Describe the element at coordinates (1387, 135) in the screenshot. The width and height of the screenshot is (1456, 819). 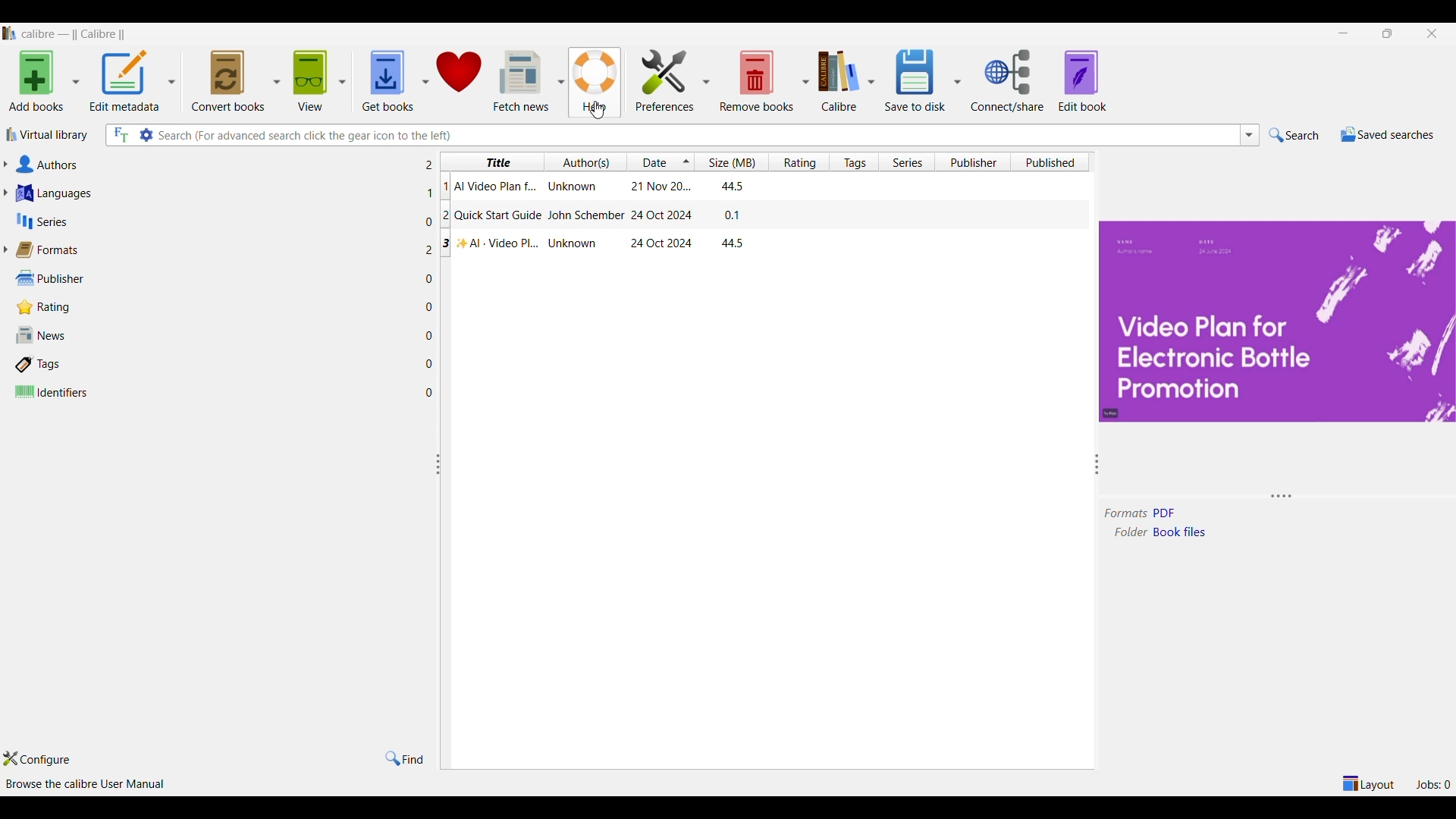
I see `Saved searches` at that location.